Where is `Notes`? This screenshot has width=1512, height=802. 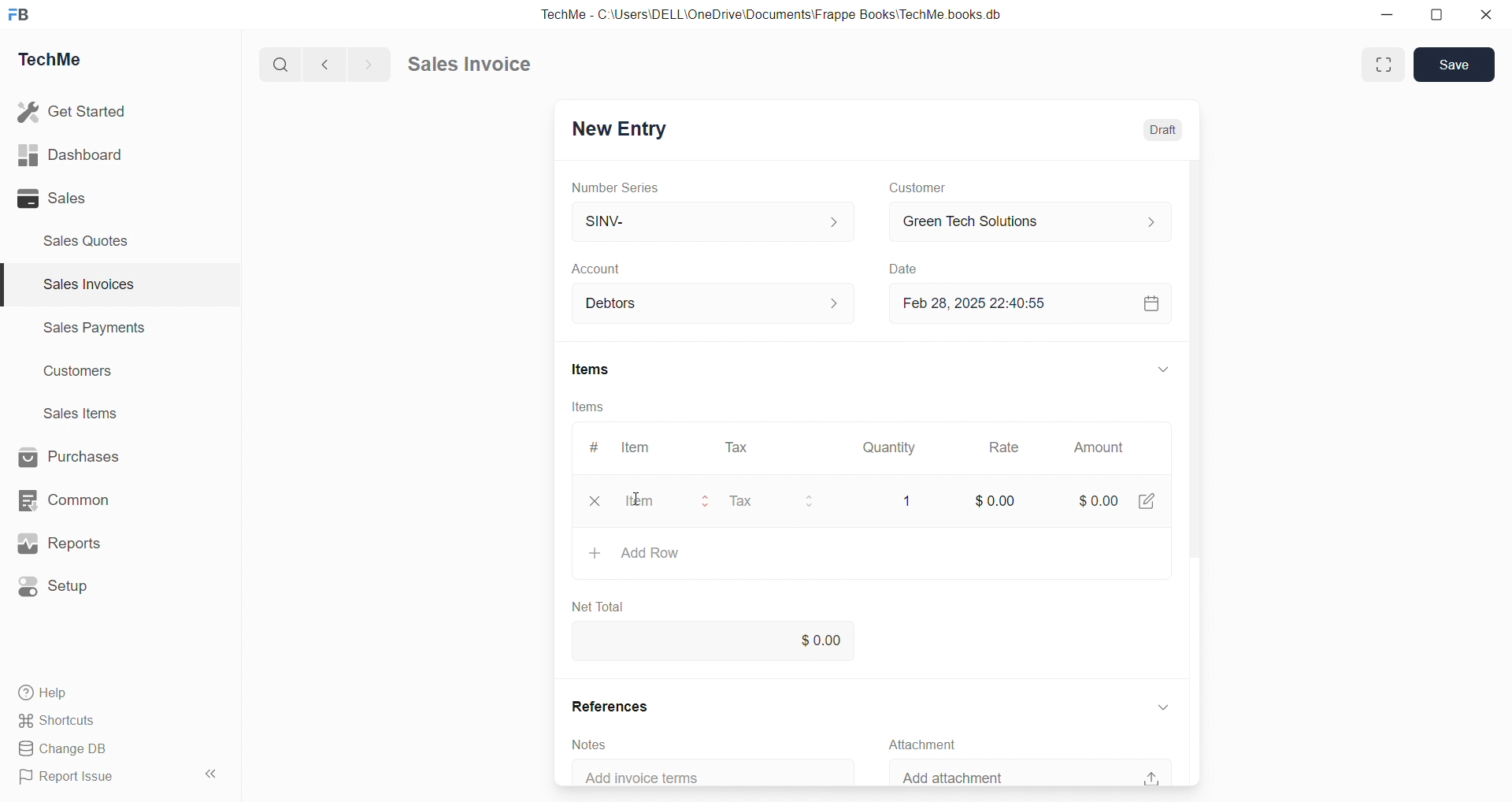
Notes is located at coordinates (590, 745).